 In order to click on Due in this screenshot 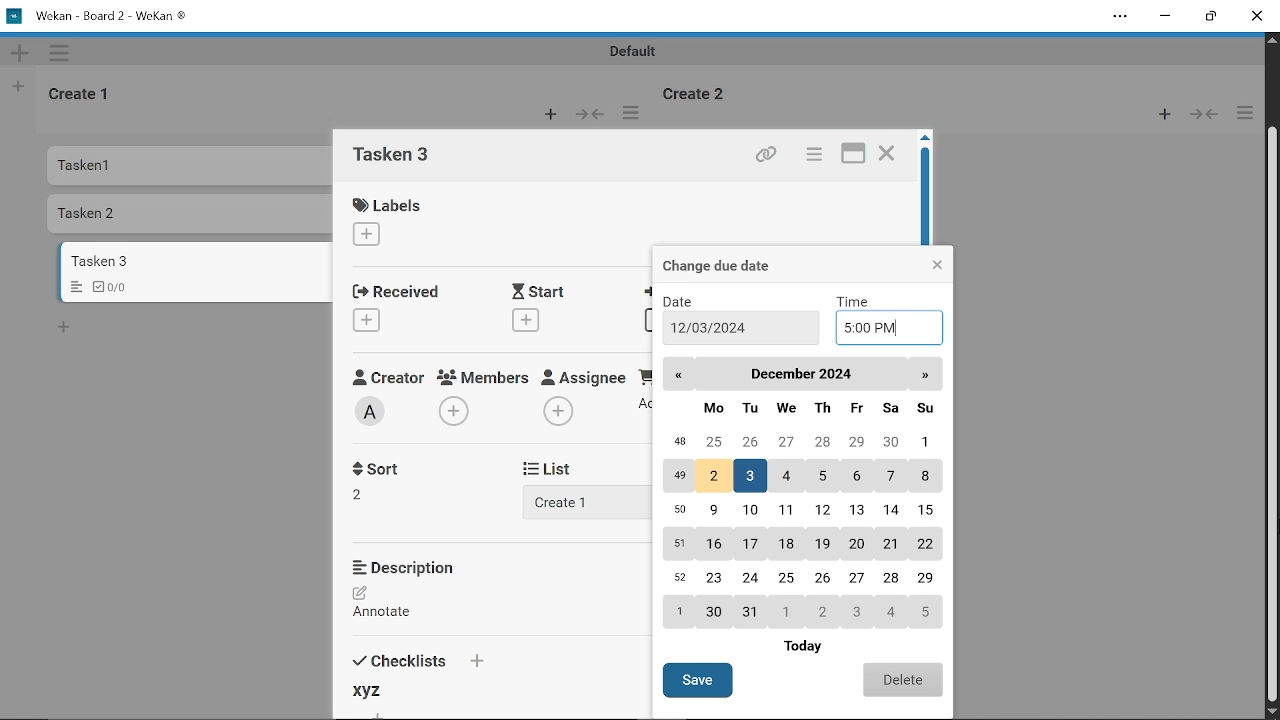, I will do `click(650, 293)`.